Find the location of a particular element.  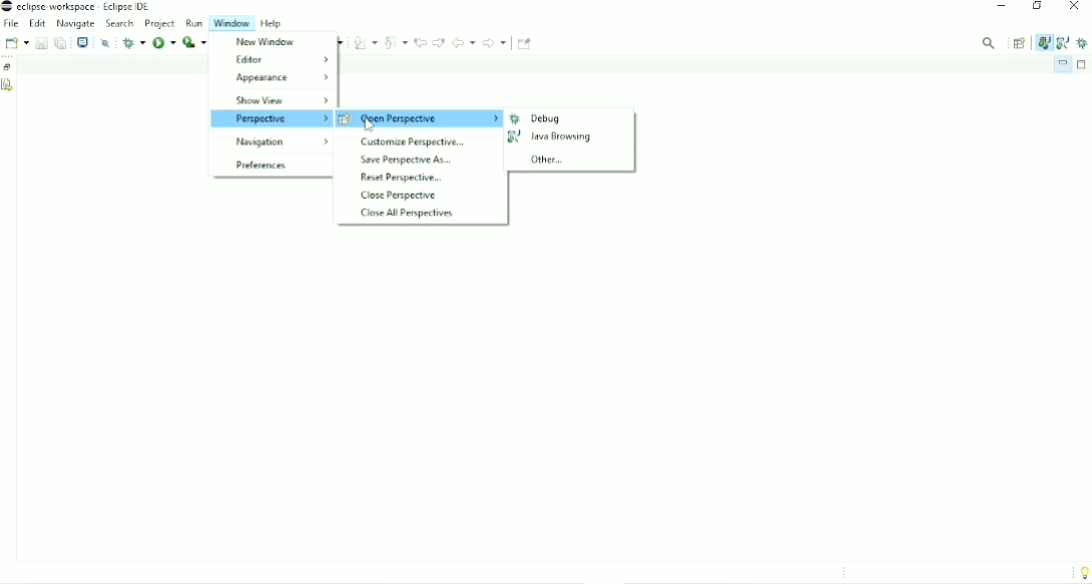

Edit is located at coordinates (38, 23).